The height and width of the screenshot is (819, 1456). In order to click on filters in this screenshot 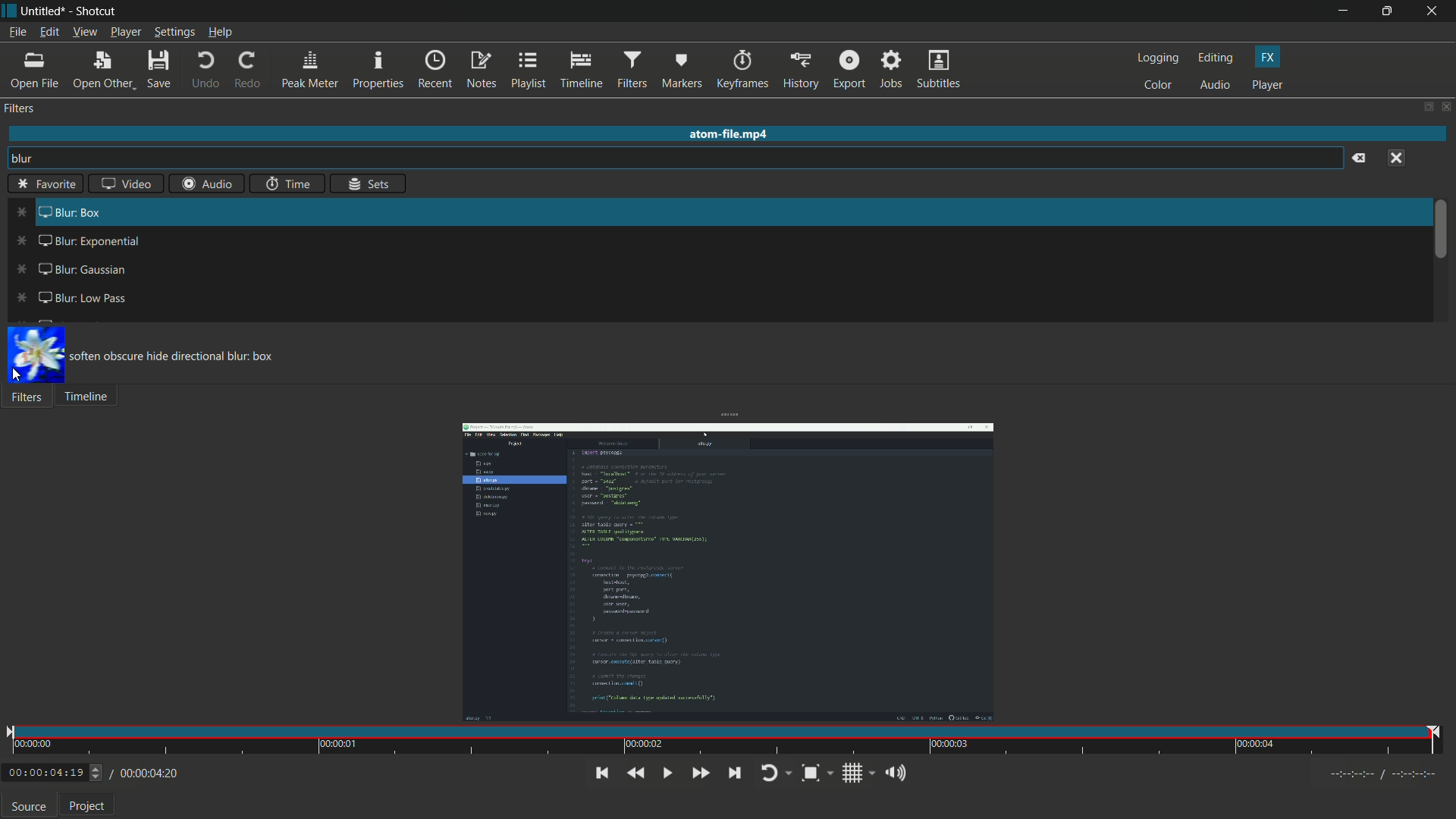, I will do `click(630, 71)`.